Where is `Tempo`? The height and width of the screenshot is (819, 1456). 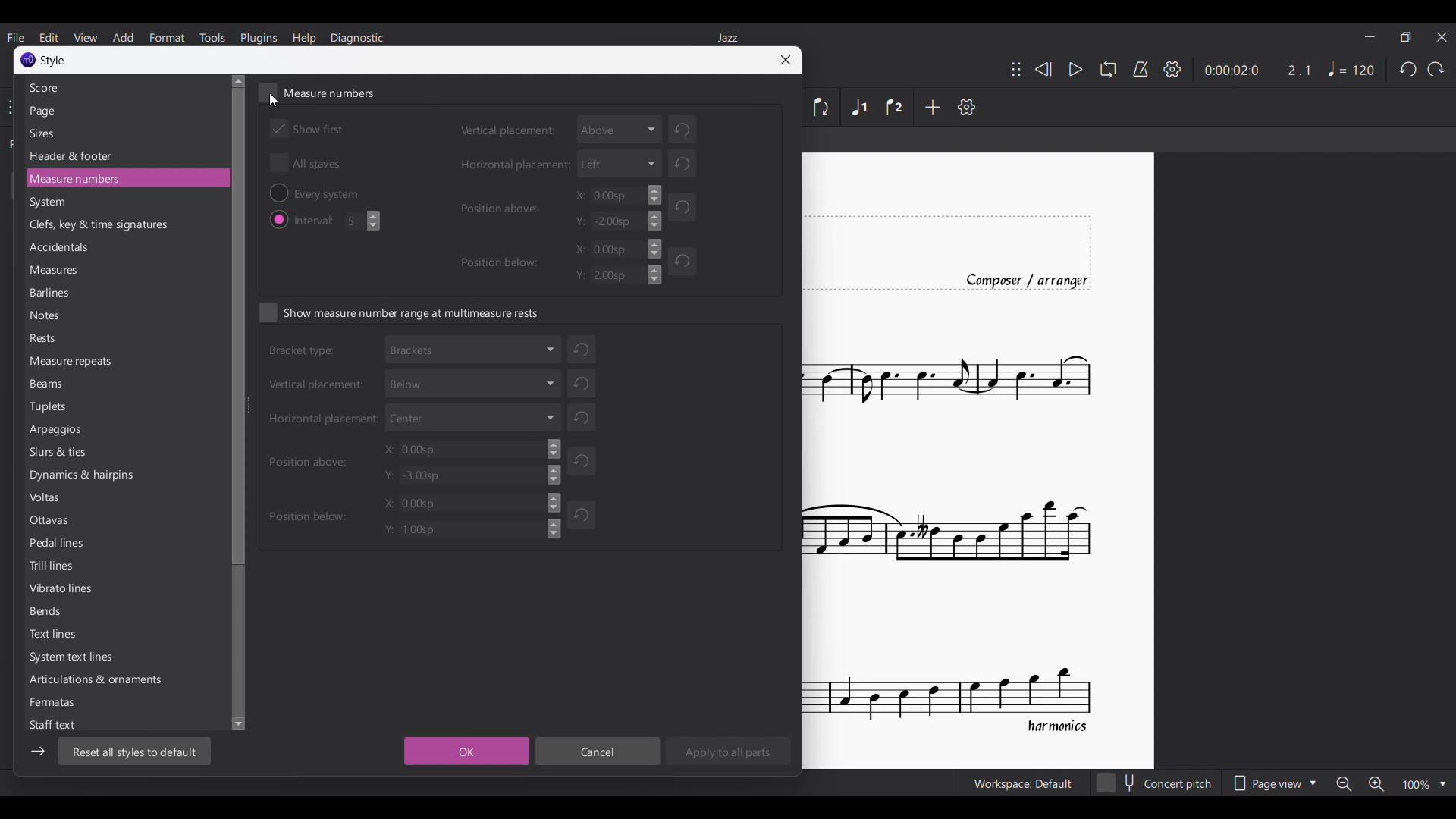 Tempo is located at coordinates (1351, 68).